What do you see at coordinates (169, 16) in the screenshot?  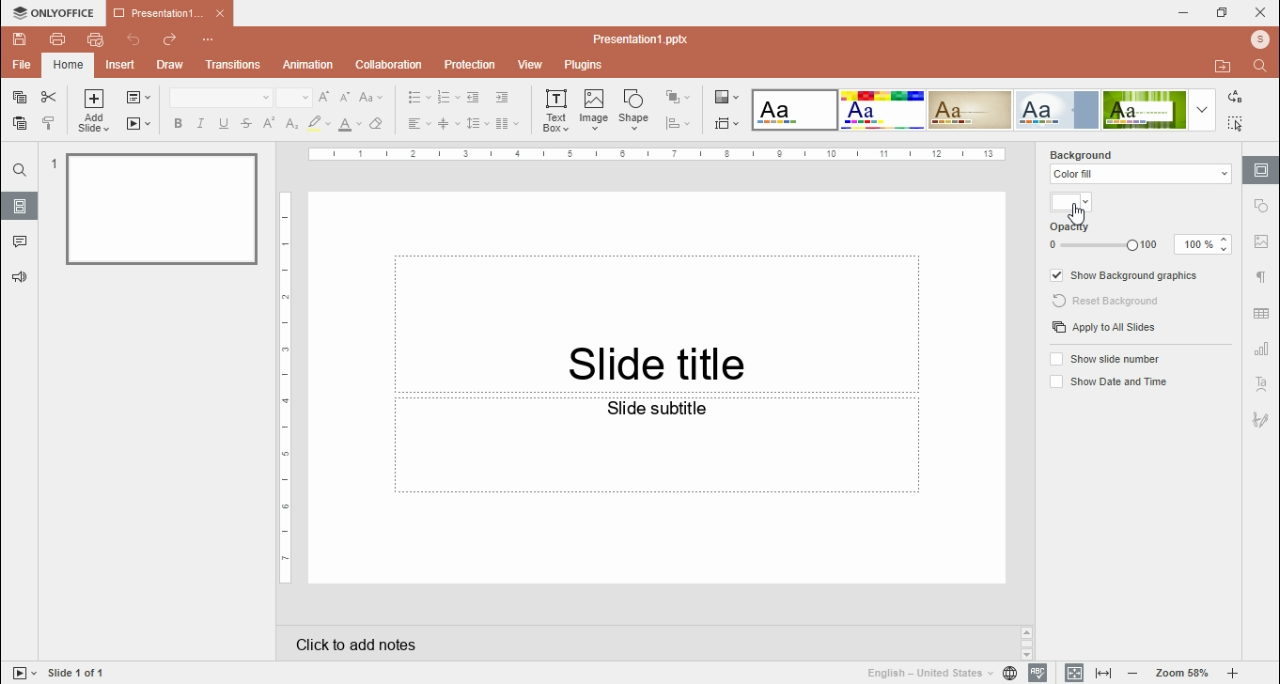 I see `presentation 1` at bounding box center [169, 16].